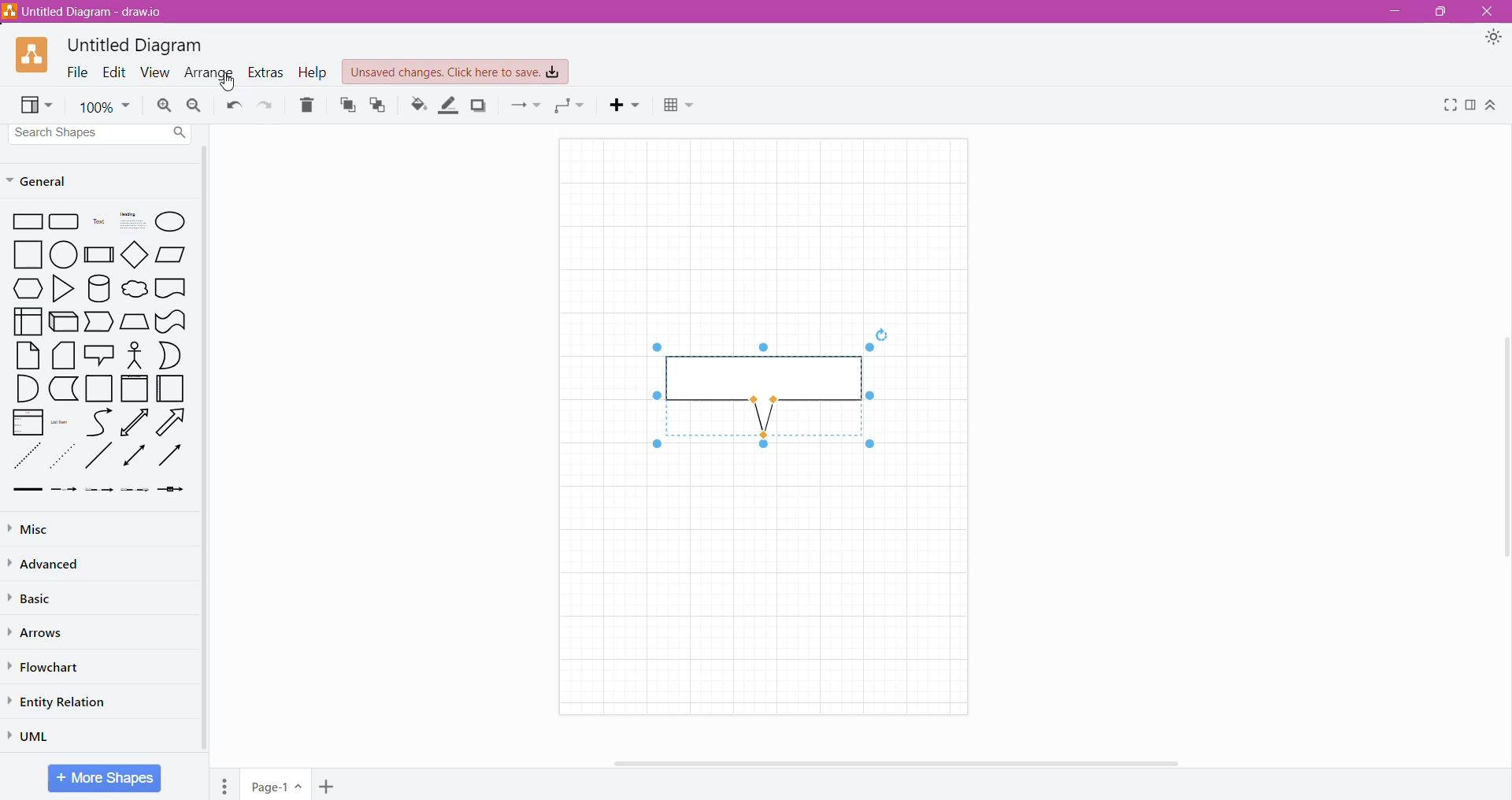 The image size is (1512, 800). Describe the element at coordinates (195, 104) in the screenshot. I see `Zoom Out` at that location.